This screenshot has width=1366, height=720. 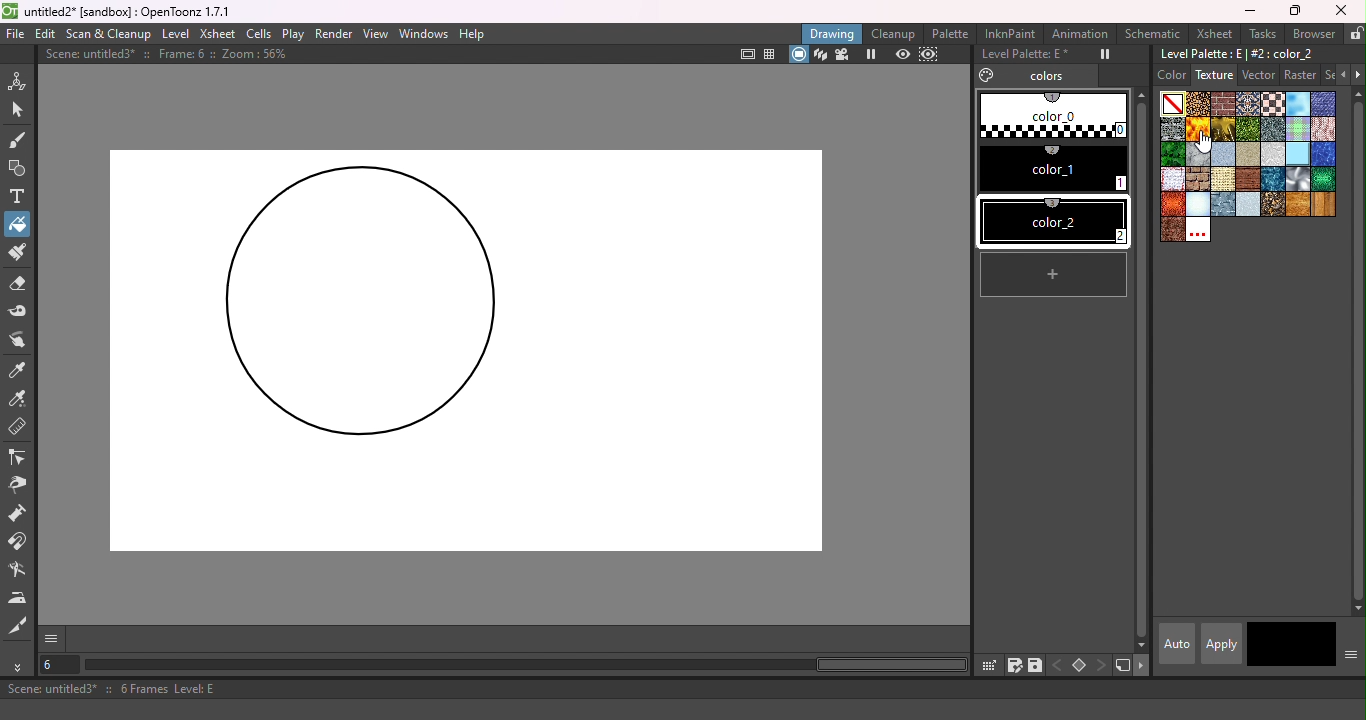 What do you see at coordinates (1021, 55) in the screenshot?
I see `Level Palette: E` at bounding box center [1021, 55].